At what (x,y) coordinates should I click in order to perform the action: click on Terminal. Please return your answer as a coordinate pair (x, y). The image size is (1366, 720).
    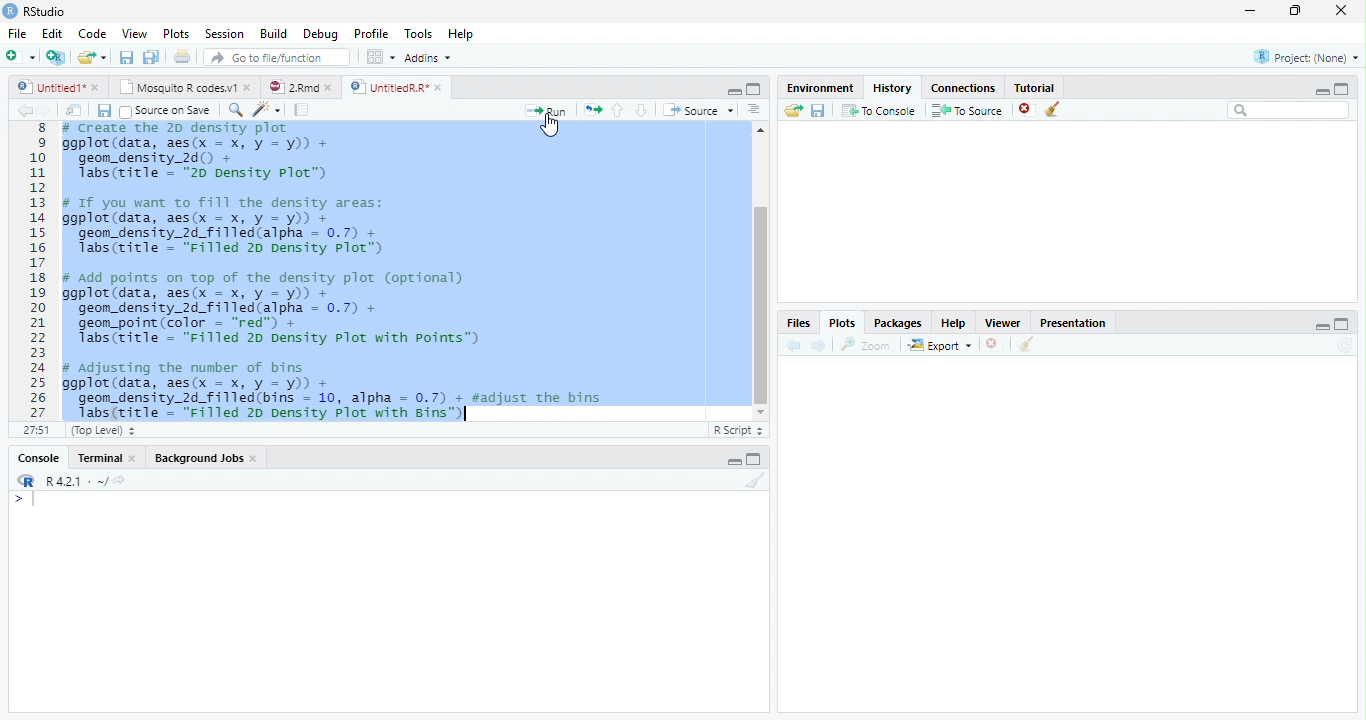
    Looking at the image, I should click on (99, 458).